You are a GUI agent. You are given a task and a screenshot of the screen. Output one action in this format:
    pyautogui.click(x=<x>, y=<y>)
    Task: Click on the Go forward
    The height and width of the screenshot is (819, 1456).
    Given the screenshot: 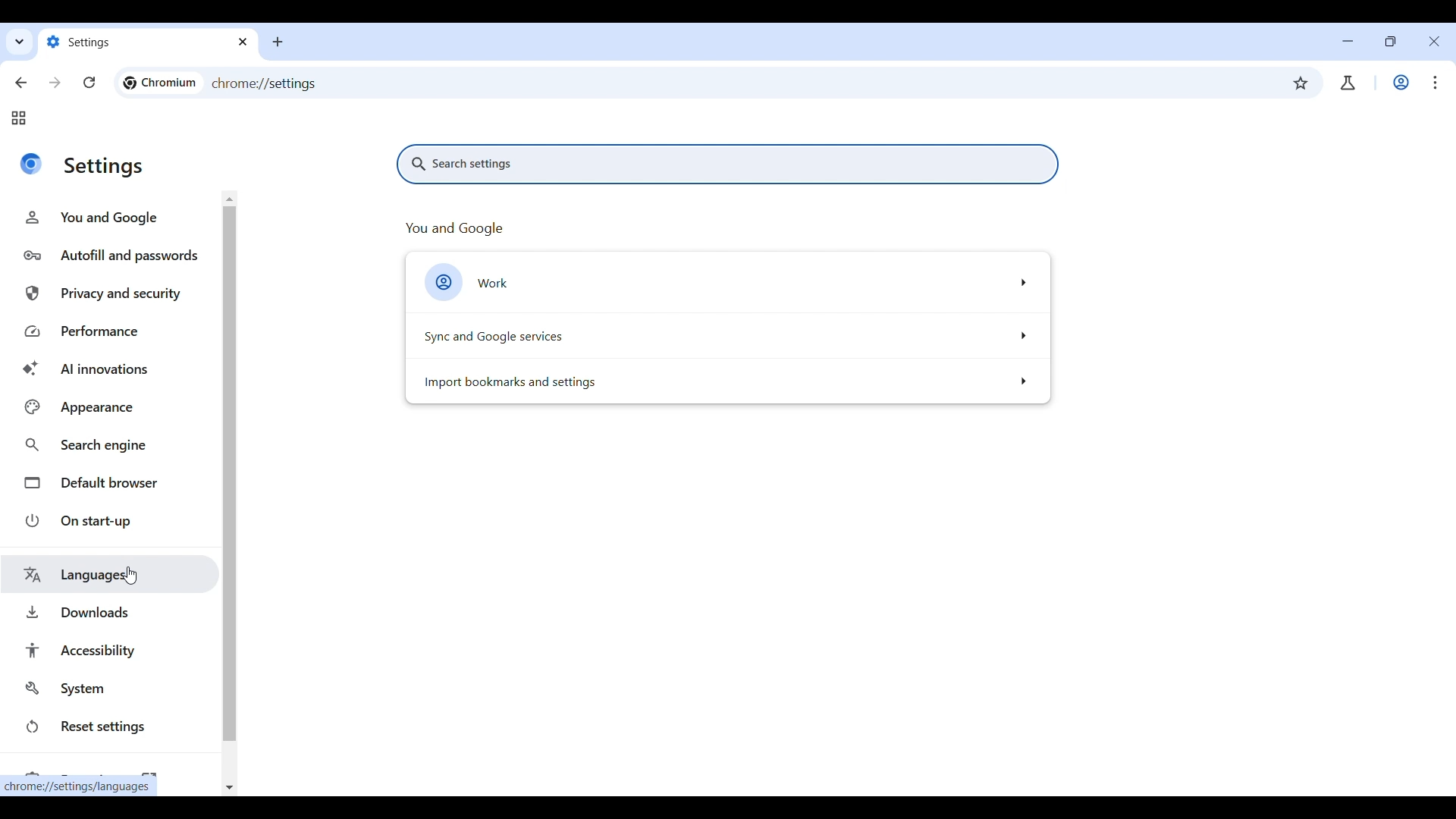 What is the action you would take?
    pyautogui.click(x=54, y=83)
    